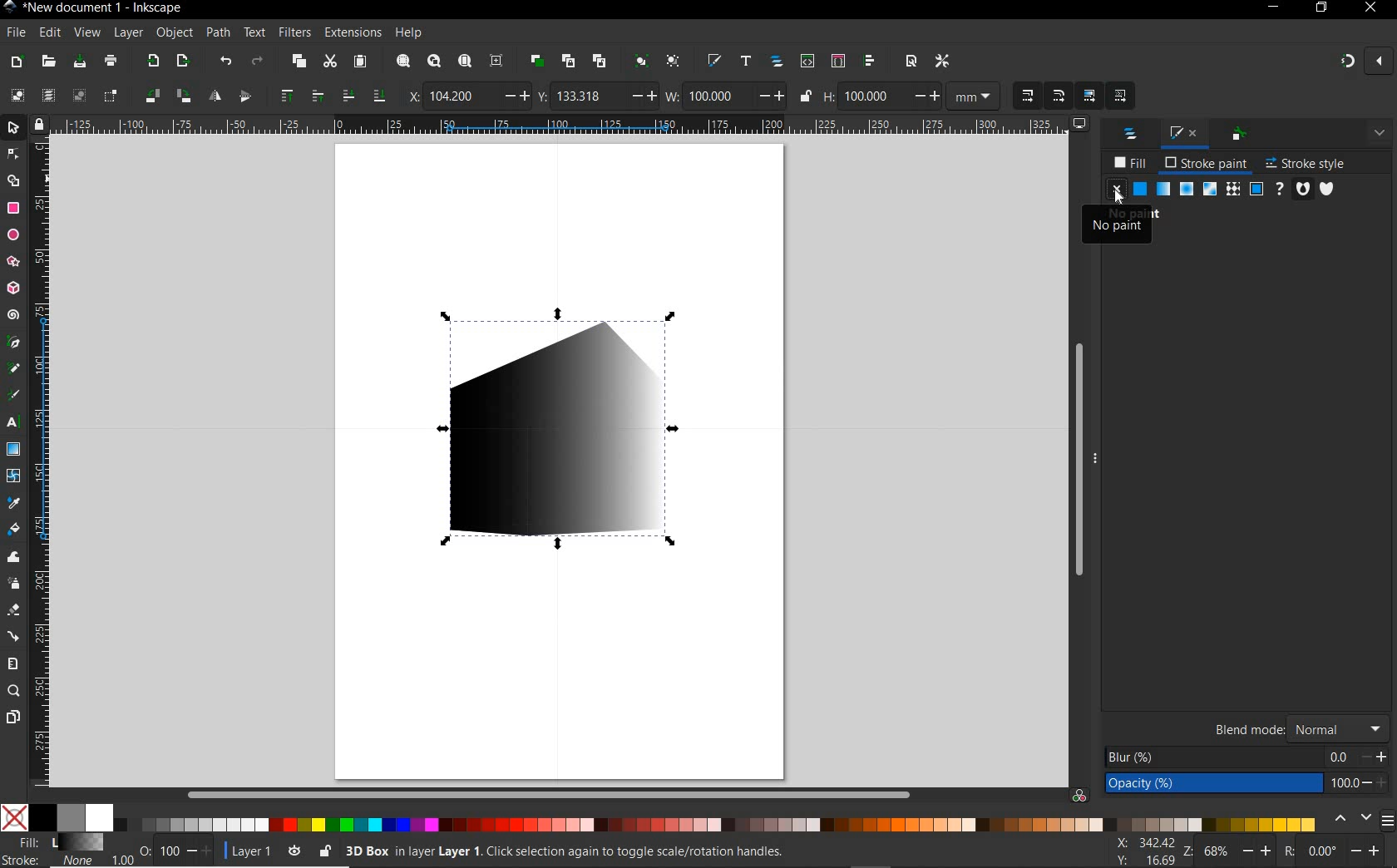 The width and height of the screenshot is (1397, 868). What do you see at coordinates (15, 315) in the screenshot?
I see `SPIRAL TOOL` at bounding box center [15, 315].